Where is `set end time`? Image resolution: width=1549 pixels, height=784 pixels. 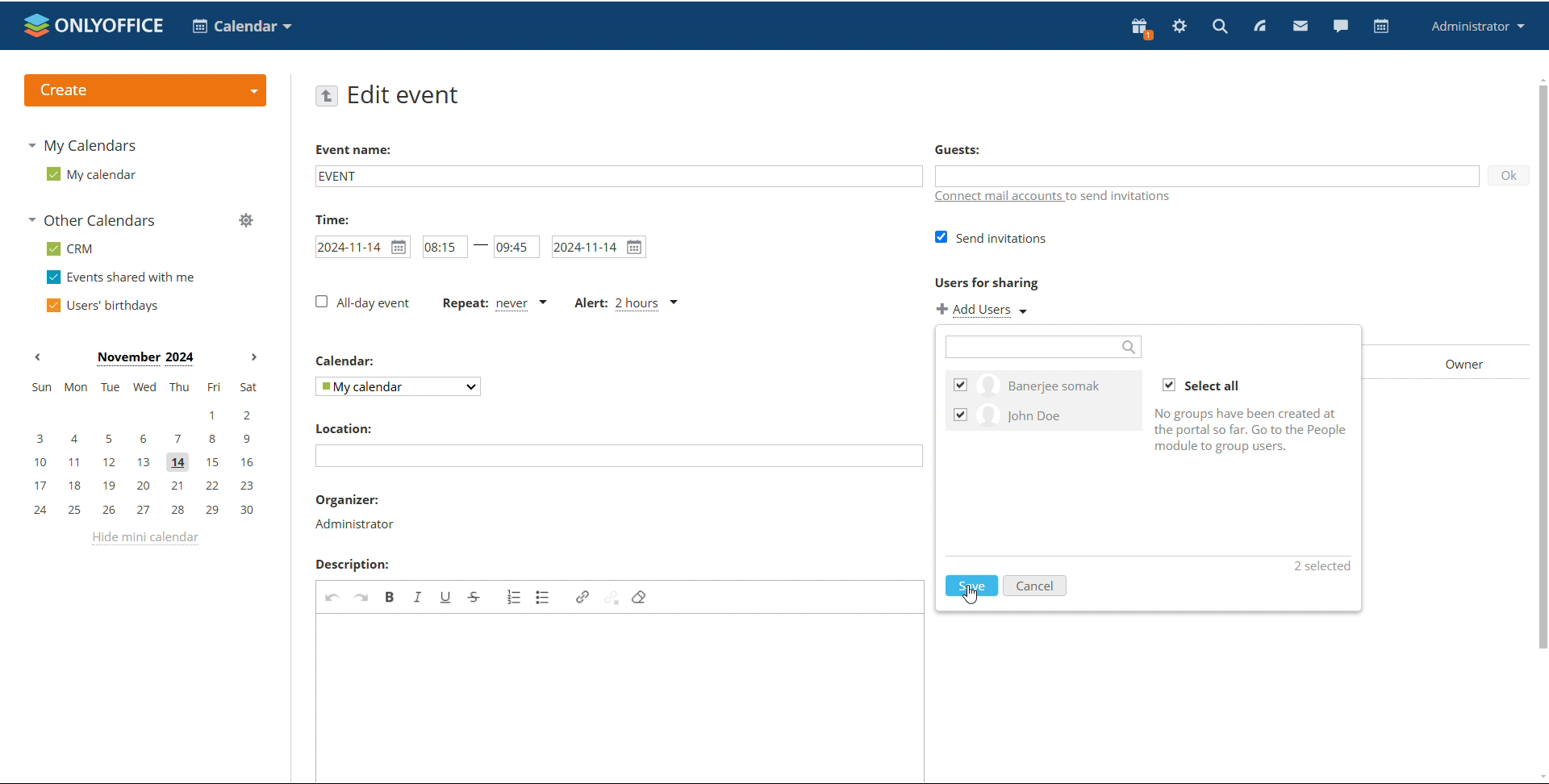
set end time is located at coordinates (516, 246).